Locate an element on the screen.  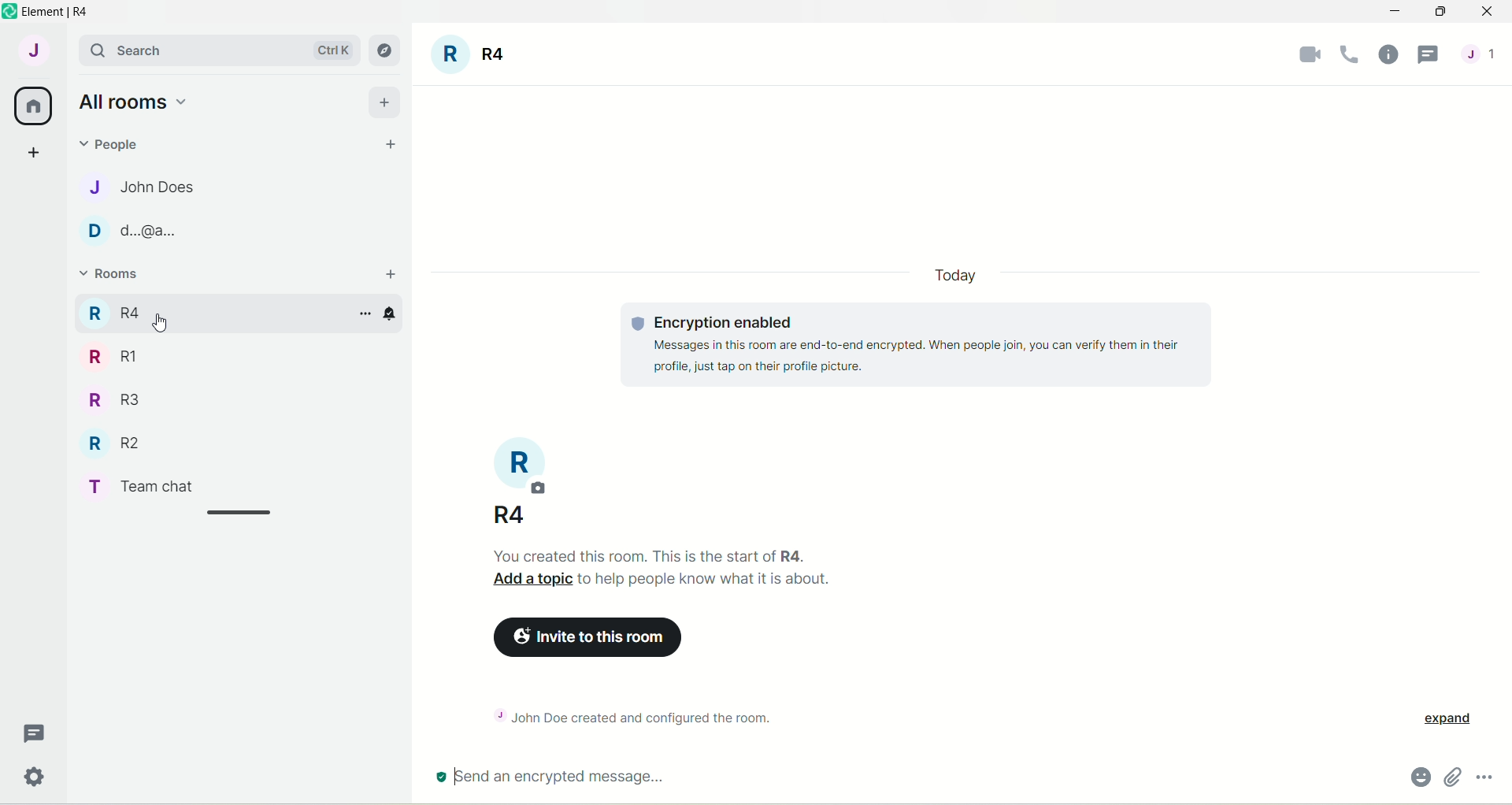
threads is located at coordinates (35, 734).